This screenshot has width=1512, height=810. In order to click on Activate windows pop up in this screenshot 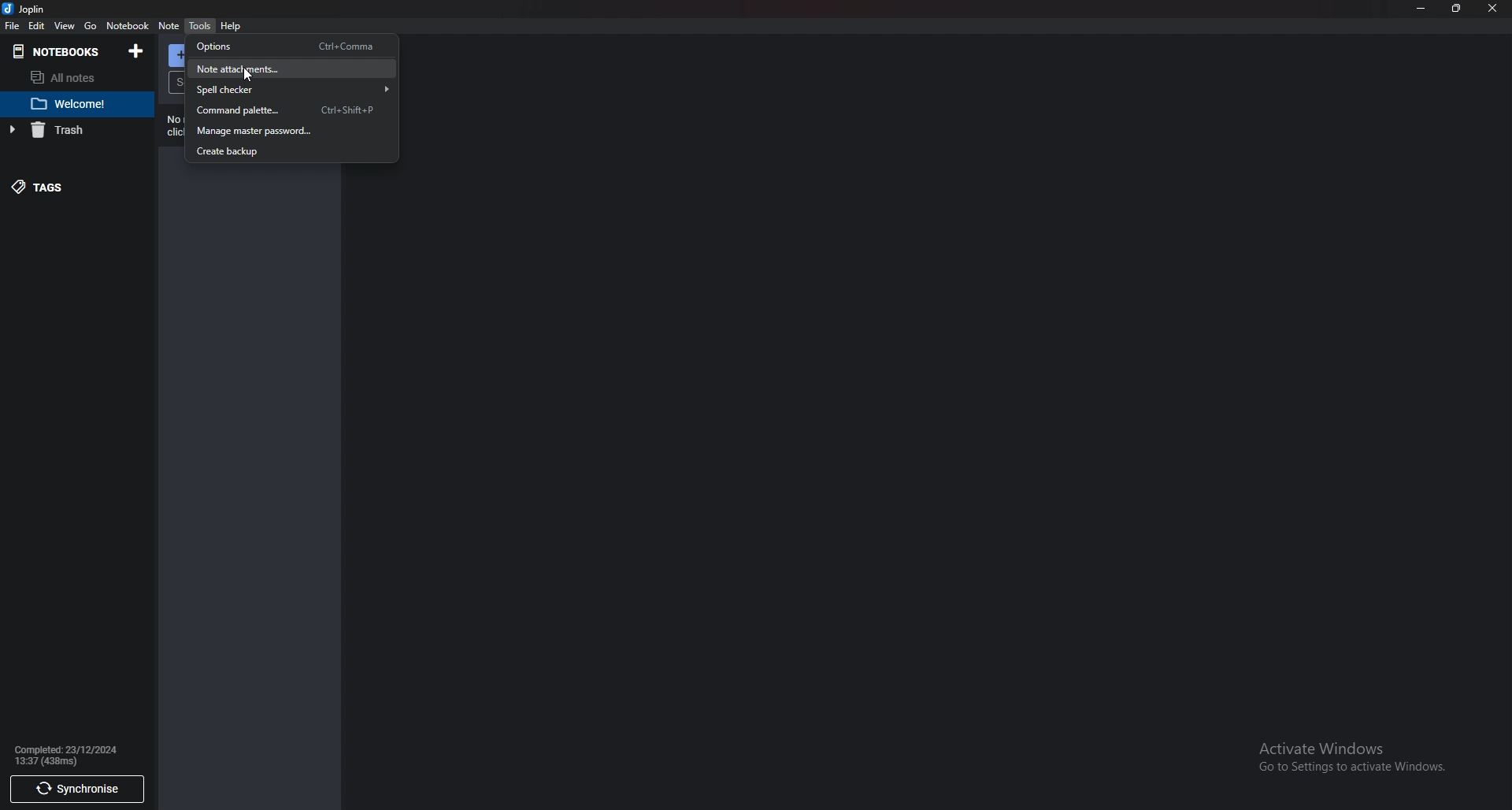, I will do `click(1358, 759)`.